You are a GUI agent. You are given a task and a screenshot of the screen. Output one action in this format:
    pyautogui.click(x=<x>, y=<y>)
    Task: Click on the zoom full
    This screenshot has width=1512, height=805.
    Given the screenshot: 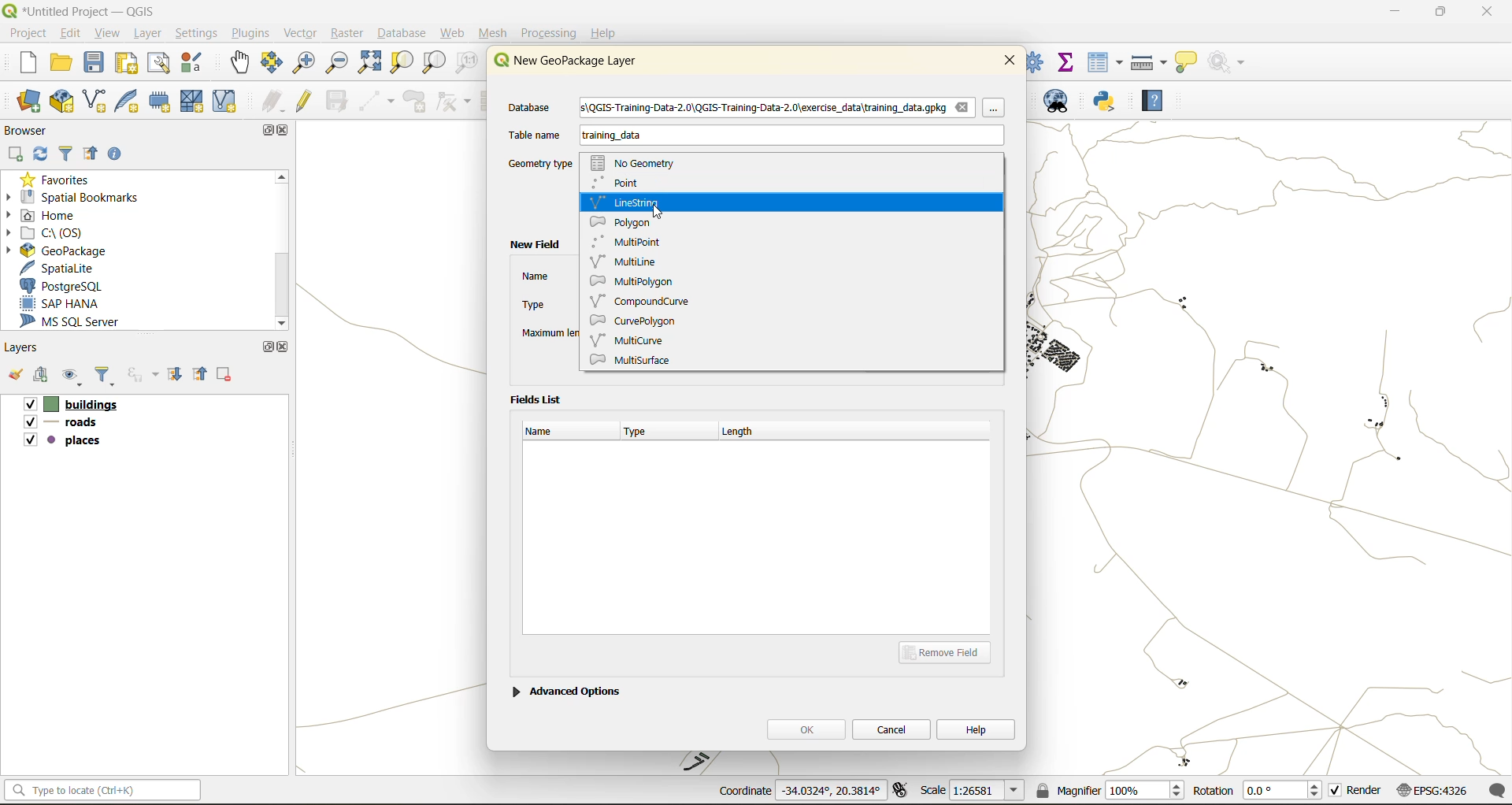 What is the action you would take?
    pyautogui.click(x=369, y=63)
    